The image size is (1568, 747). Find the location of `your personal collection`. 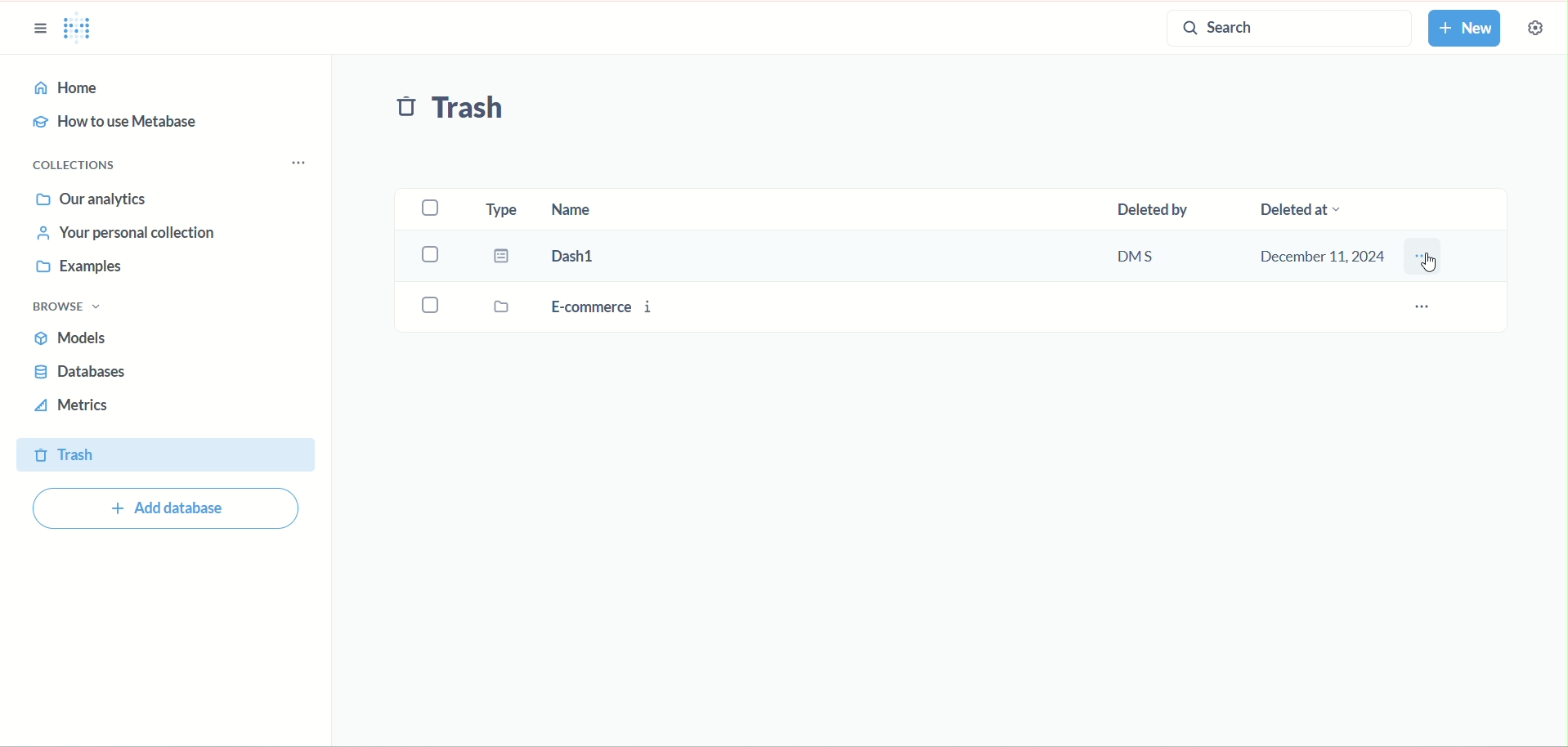

your personal collection is located at coordinates (120, 233).